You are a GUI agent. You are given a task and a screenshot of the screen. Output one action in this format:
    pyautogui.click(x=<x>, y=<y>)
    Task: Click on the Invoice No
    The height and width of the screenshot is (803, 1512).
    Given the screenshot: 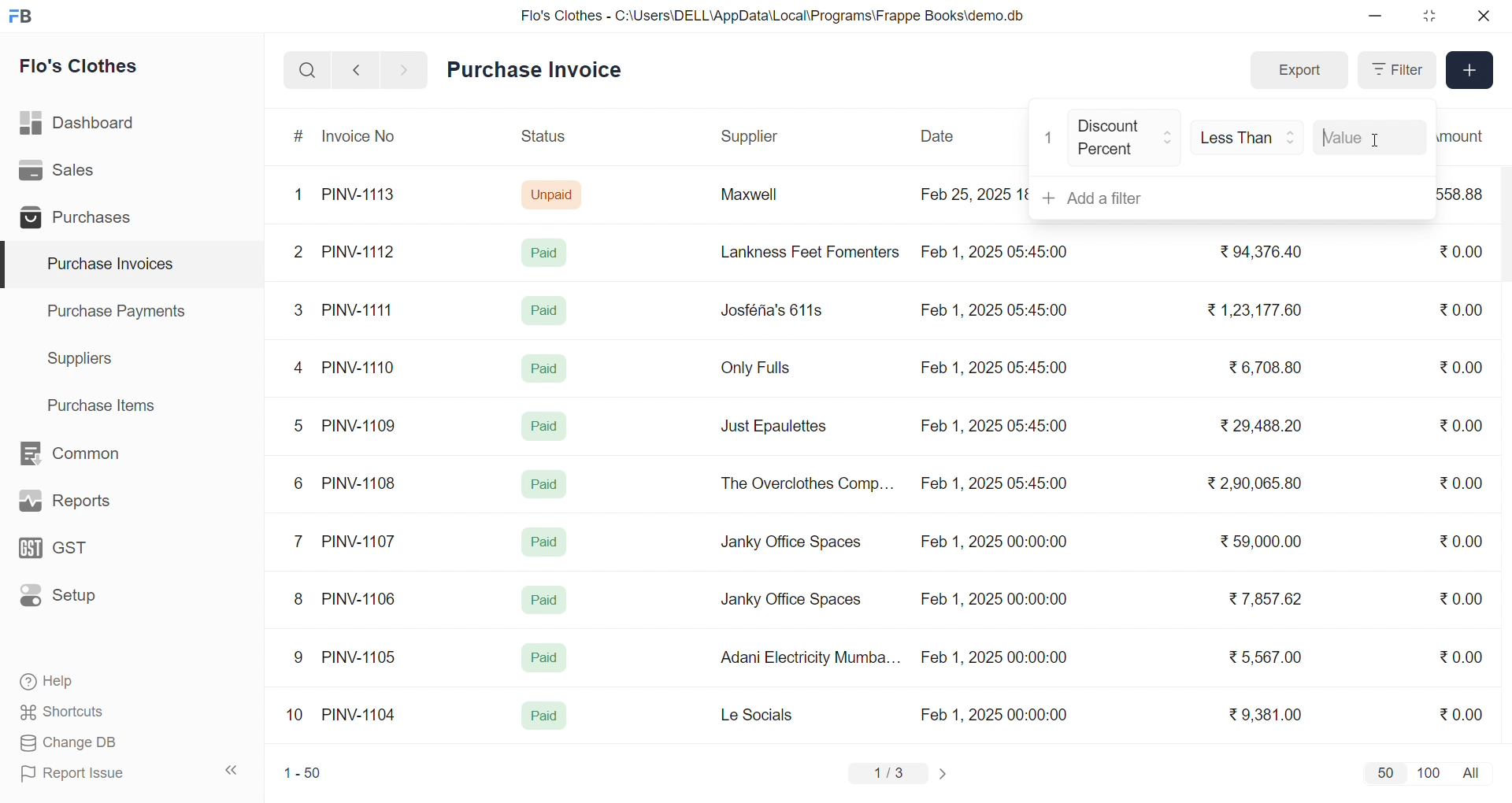 What is the action you would take?
    pyautogui.click(x=365, y=137)
    